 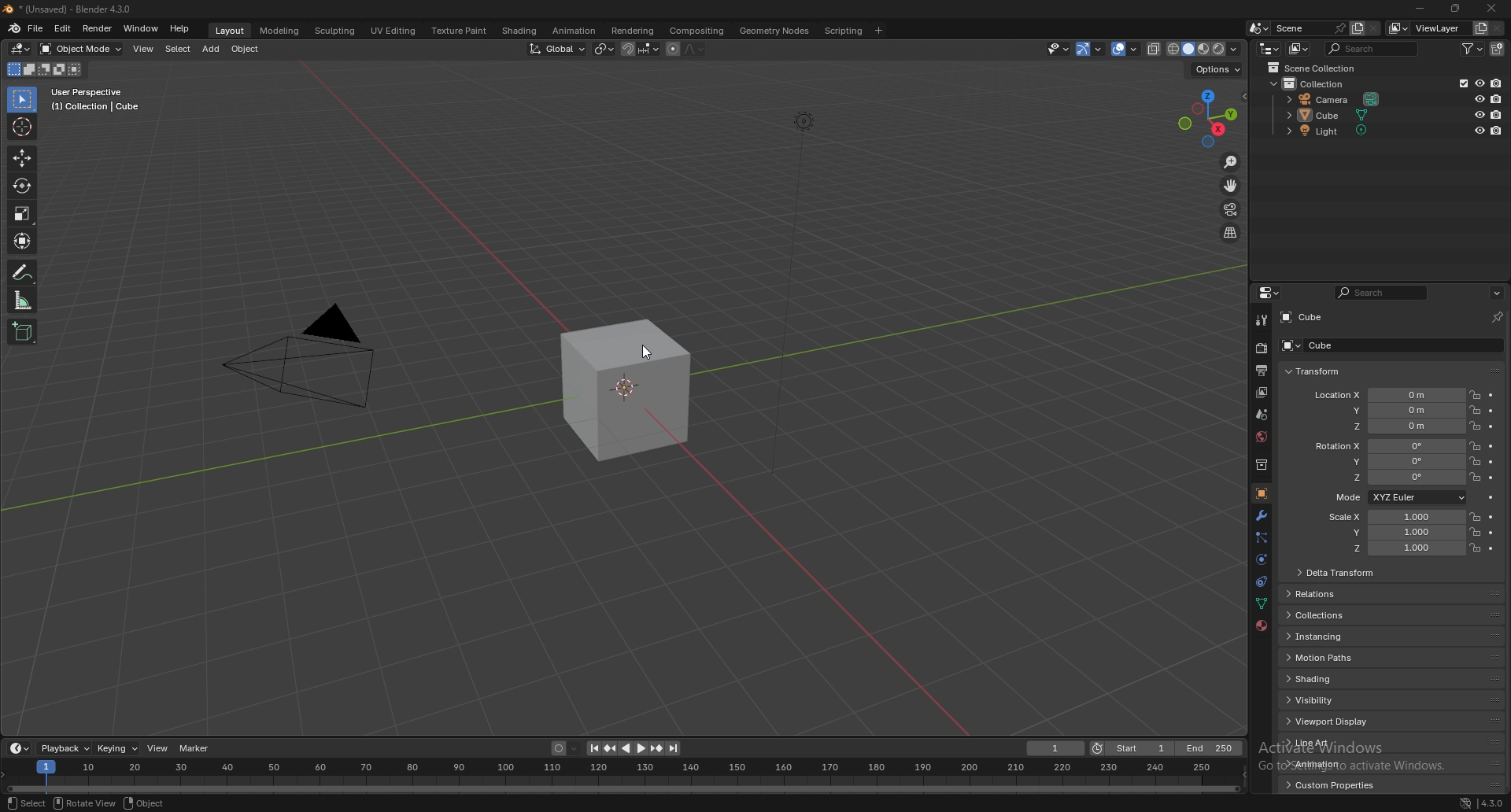 I want to click on mode, so click(x=1398, y=496).